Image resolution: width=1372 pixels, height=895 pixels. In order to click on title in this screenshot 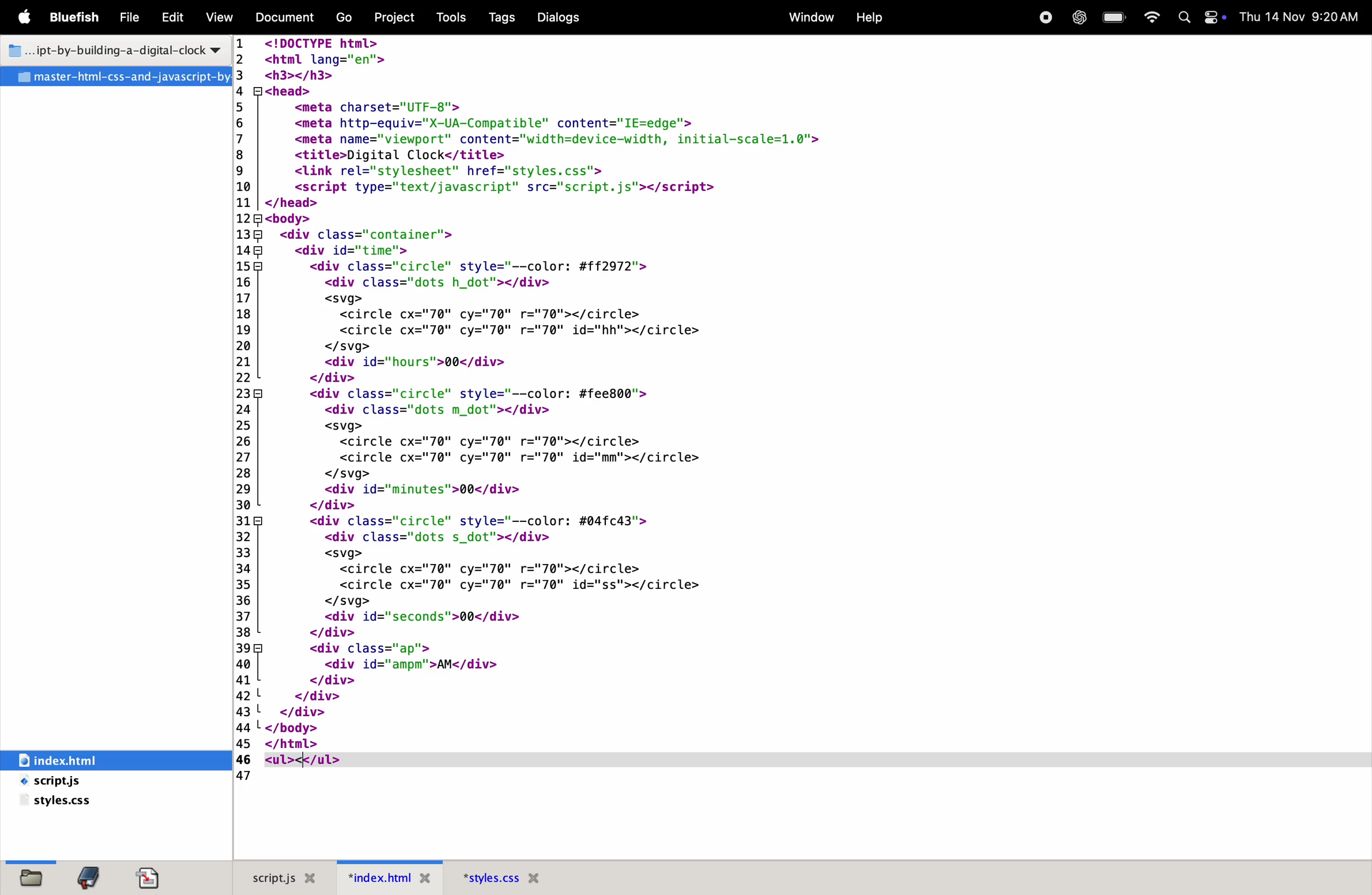, I will do `click(111, 48)`.